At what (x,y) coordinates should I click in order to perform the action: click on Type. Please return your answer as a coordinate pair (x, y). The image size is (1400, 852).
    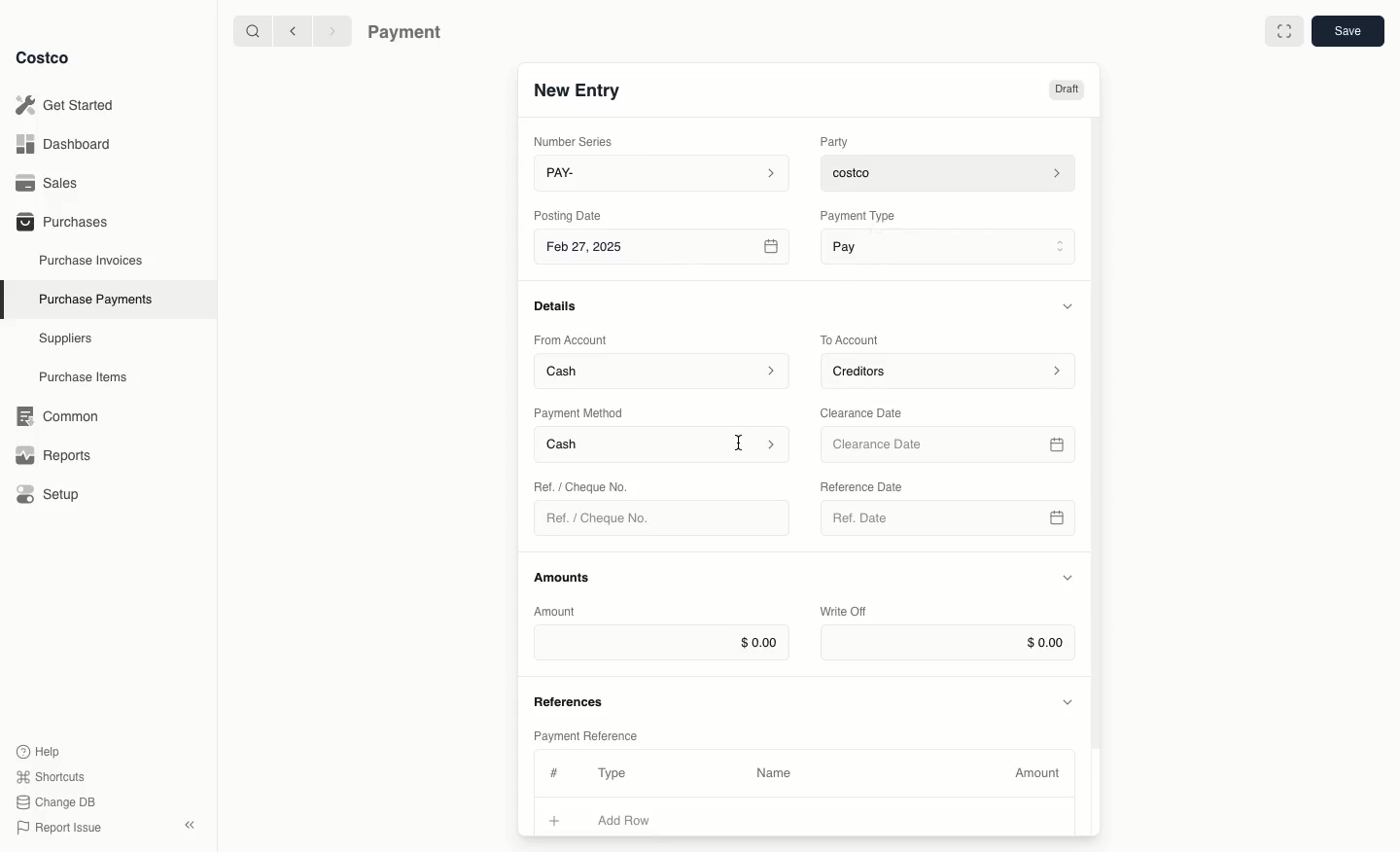
    Looking at the image, I should click on (616, 773).